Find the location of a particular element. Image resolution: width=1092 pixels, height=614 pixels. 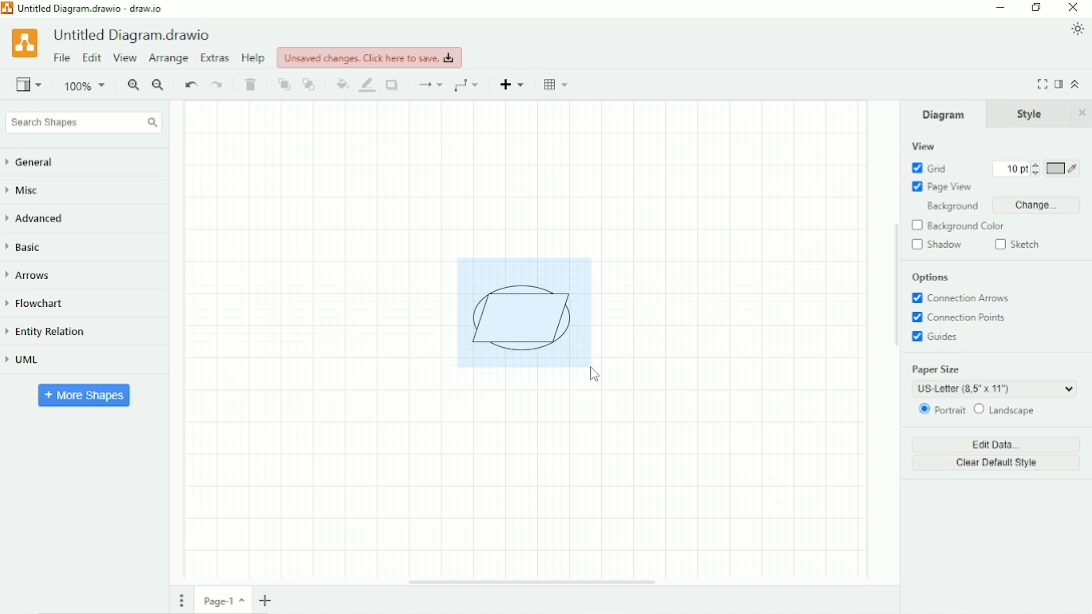

Basic is located at coordinates (28, 246).